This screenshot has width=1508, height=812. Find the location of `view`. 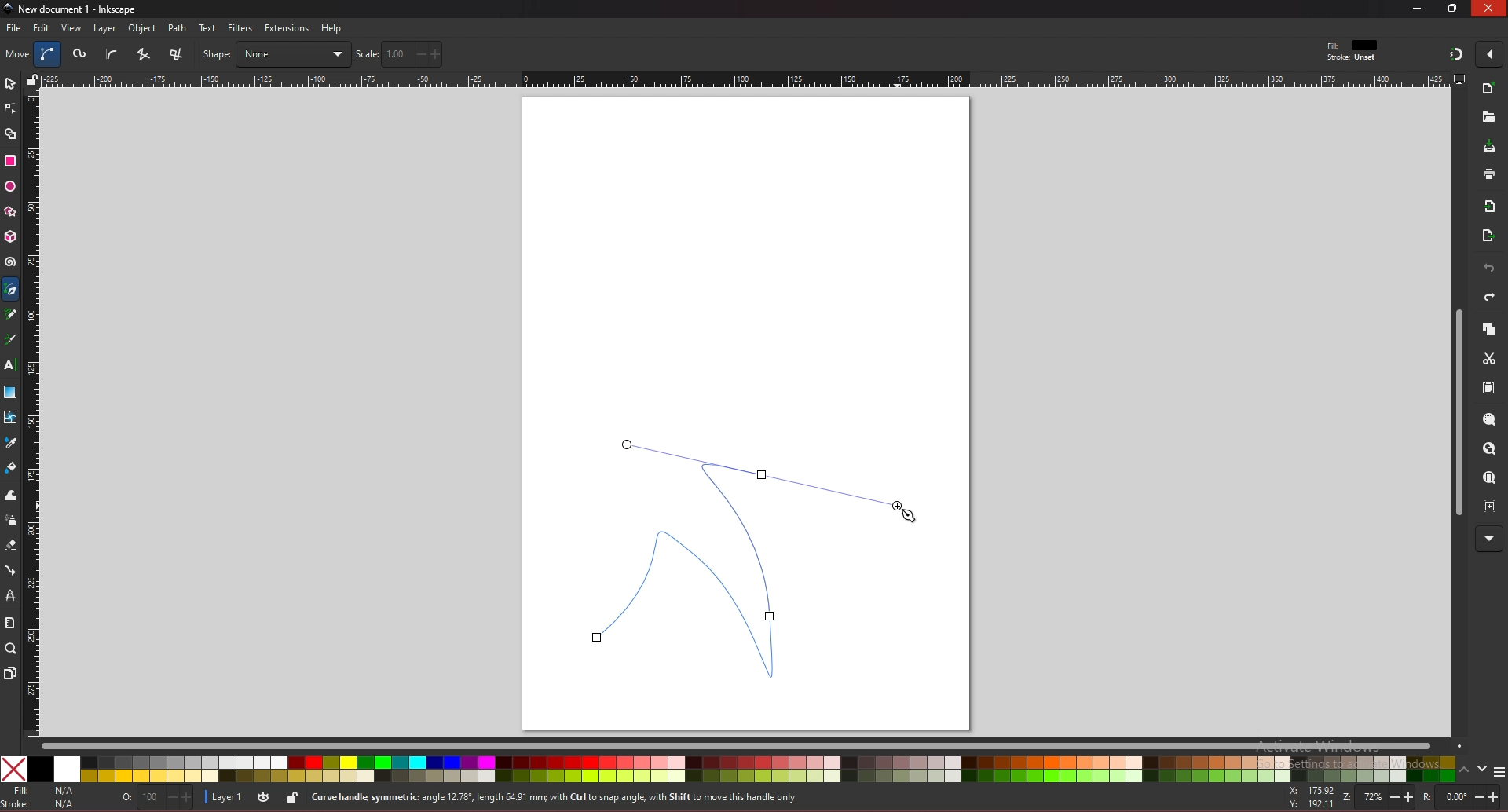

view is located at coordinates (72, 28).